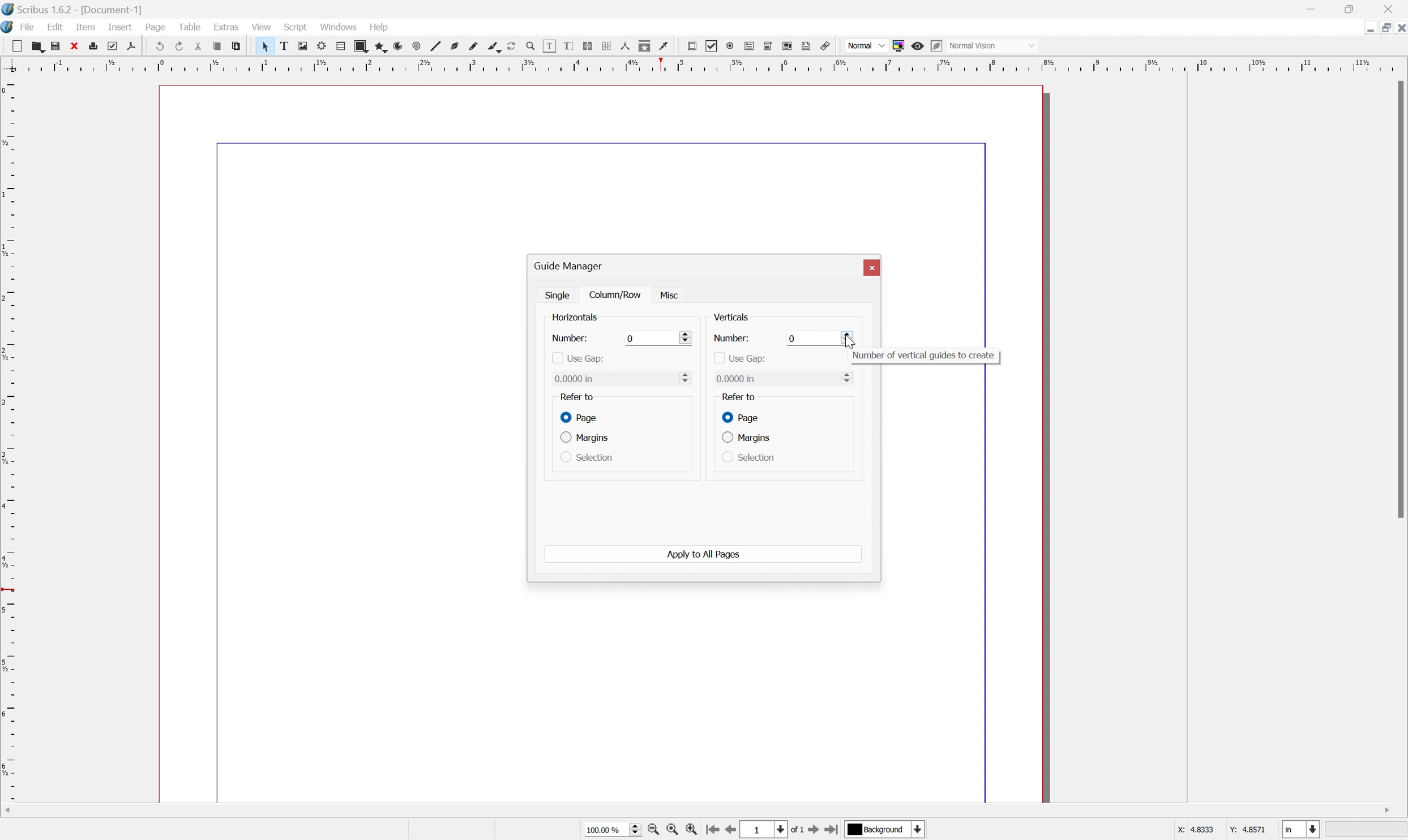 The image size is (1408, 840). I want to click on table, so click(187, 26).